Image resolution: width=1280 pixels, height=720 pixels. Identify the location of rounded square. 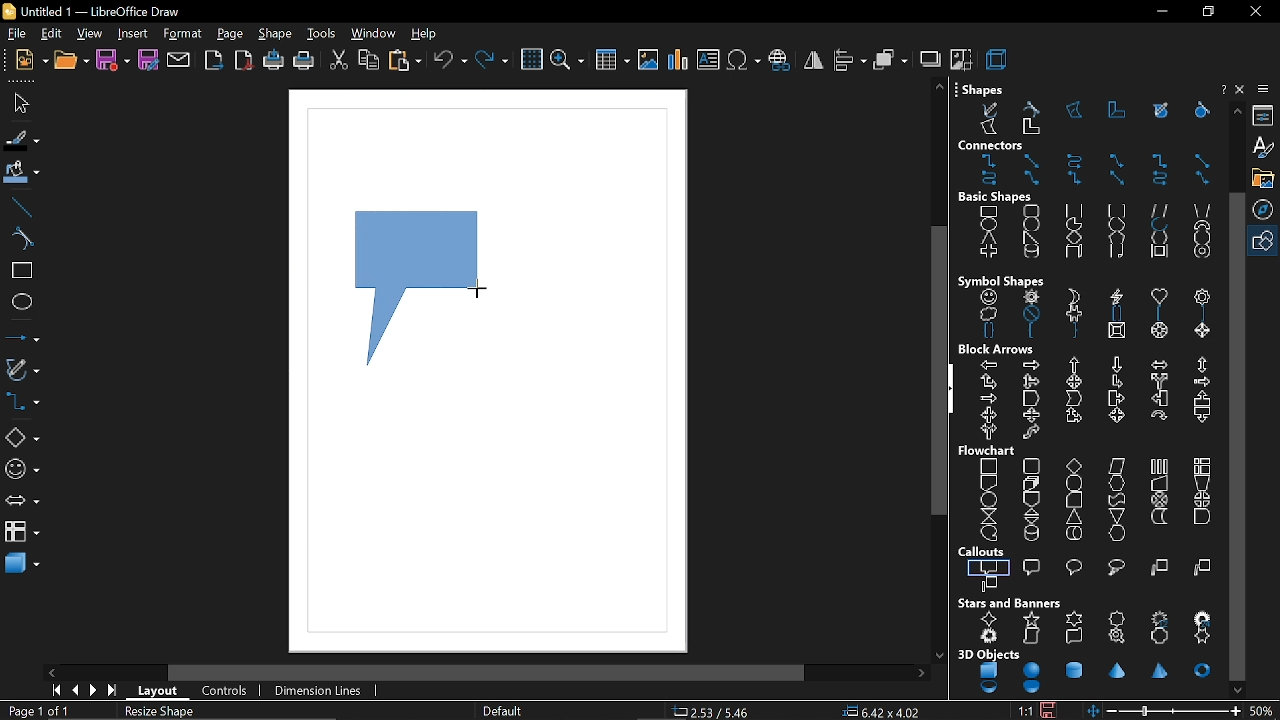
(1115, 210).